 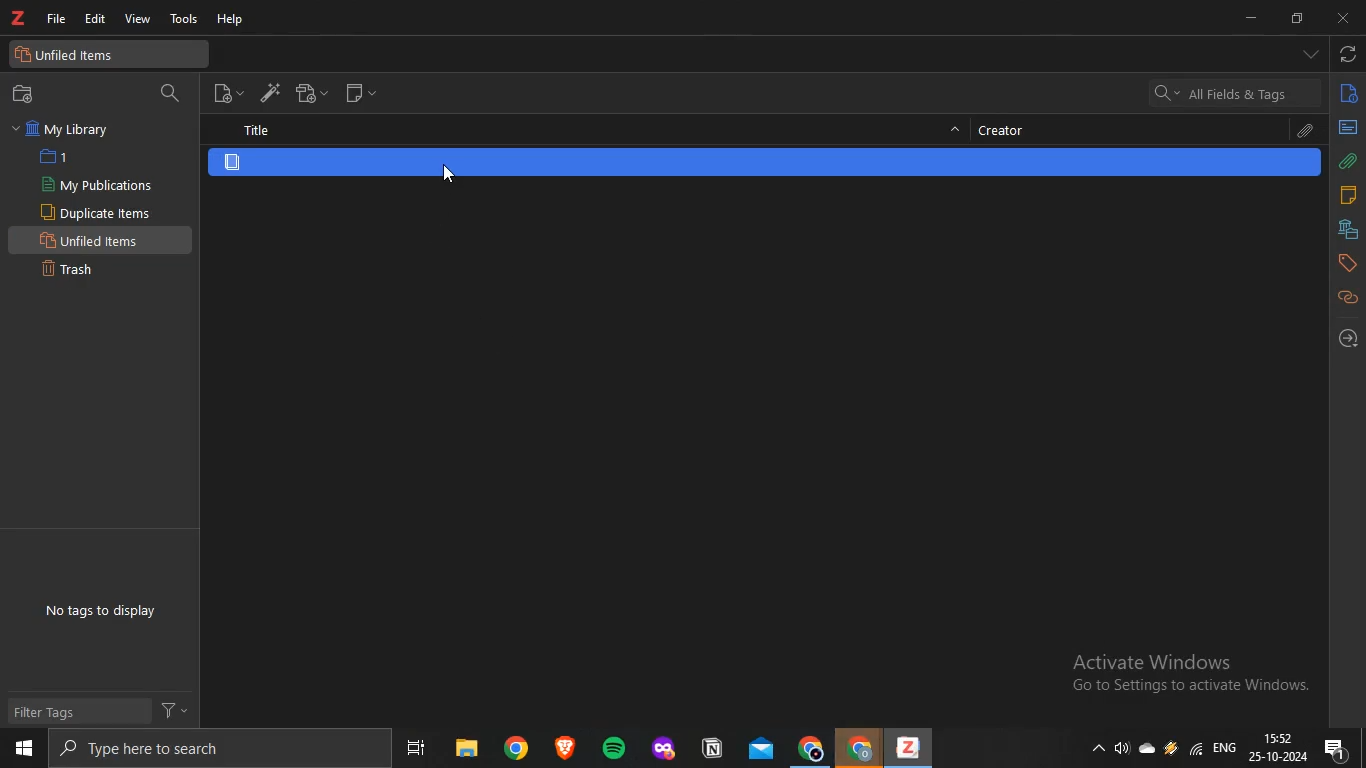 What do you see at coordinates (95, 20) in the screenshot?
I see `edit` at bounding box center [95, 20].